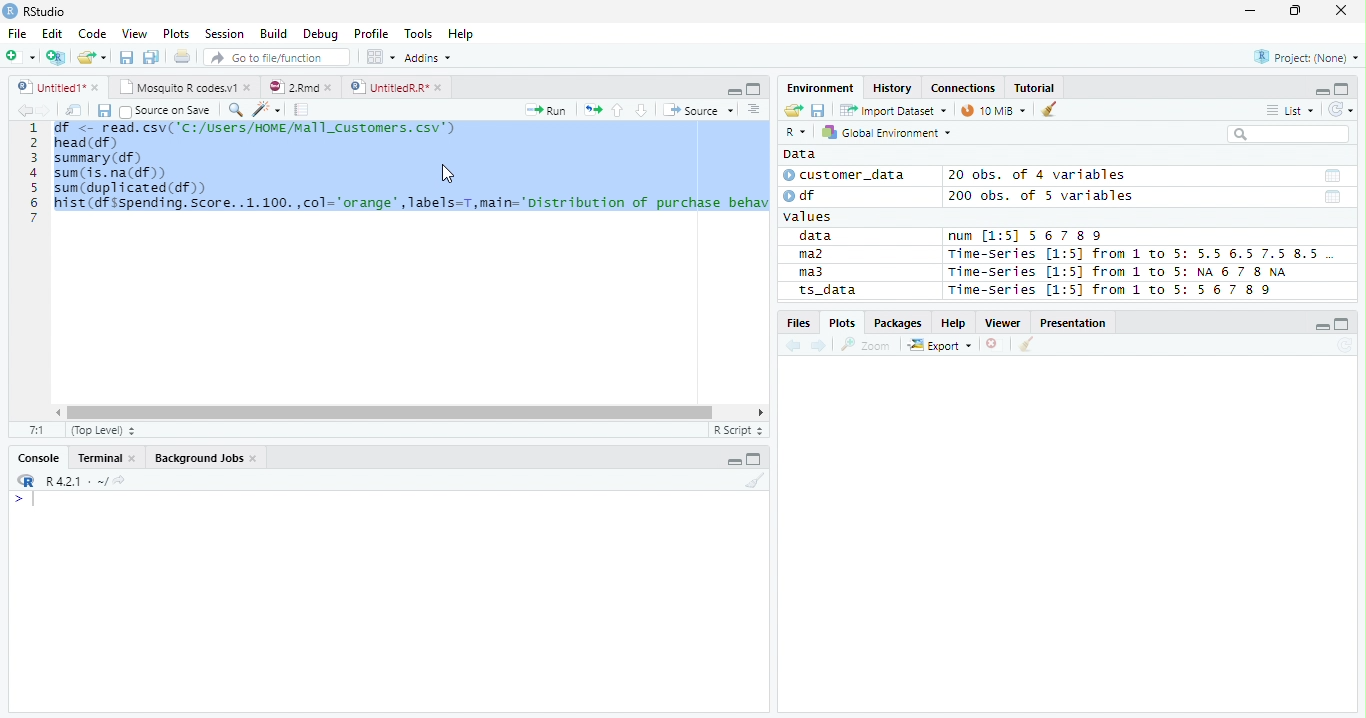  What do you see at coordinates (1309, 55) in the screenshot?
I see `Project (none)` at bounding box center [1309, 55].